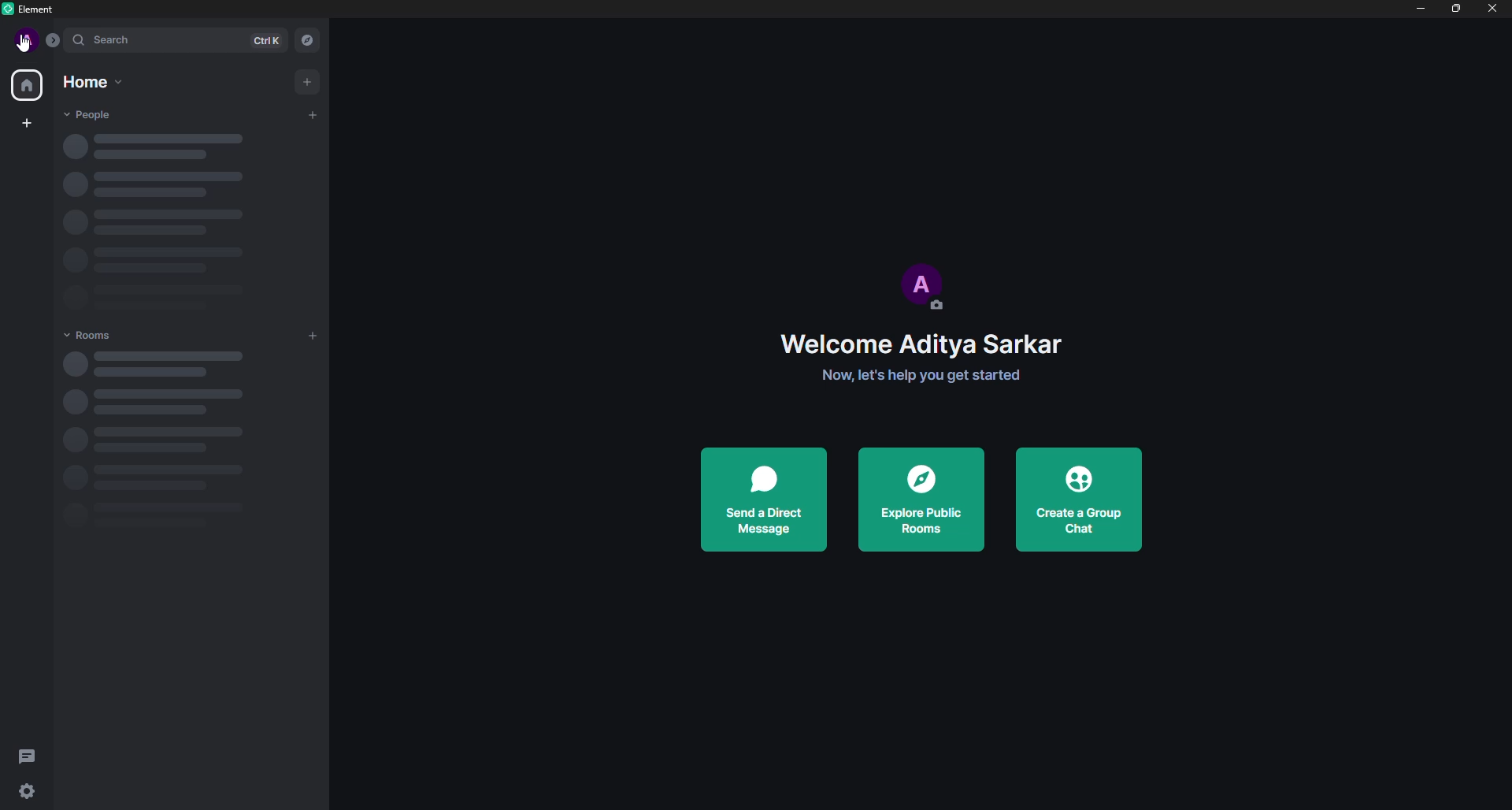 The width and height of the screenshot is (1512, 810). What do you see at coordinates (1421, 12) in the screenshot?
I see `minimize` at bounding box center [1421, 12].